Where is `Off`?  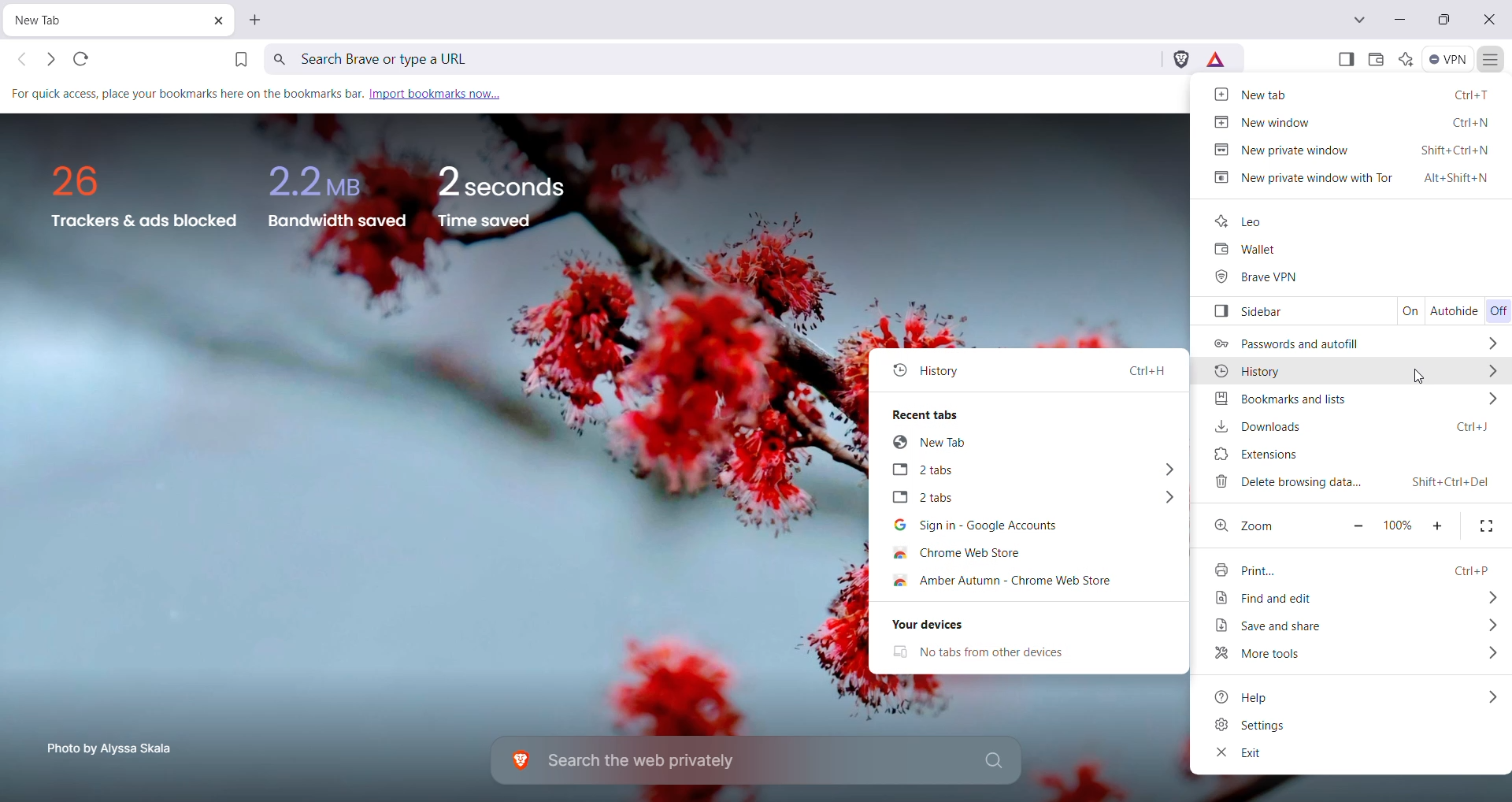 Off is located at coordinates (1498, 310).